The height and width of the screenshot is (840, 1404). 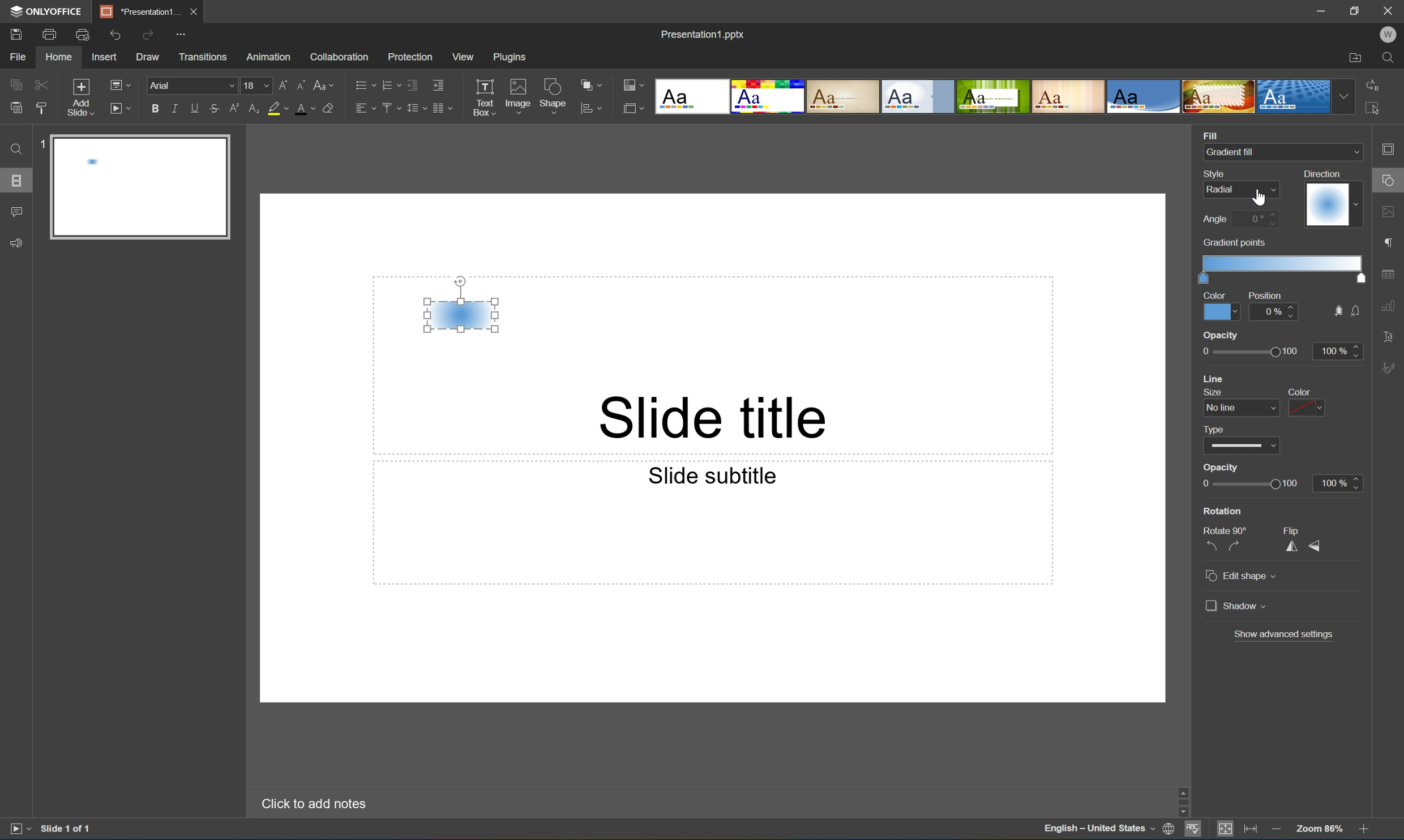 I want to click on Collaboration, so click(x=337, y=56).